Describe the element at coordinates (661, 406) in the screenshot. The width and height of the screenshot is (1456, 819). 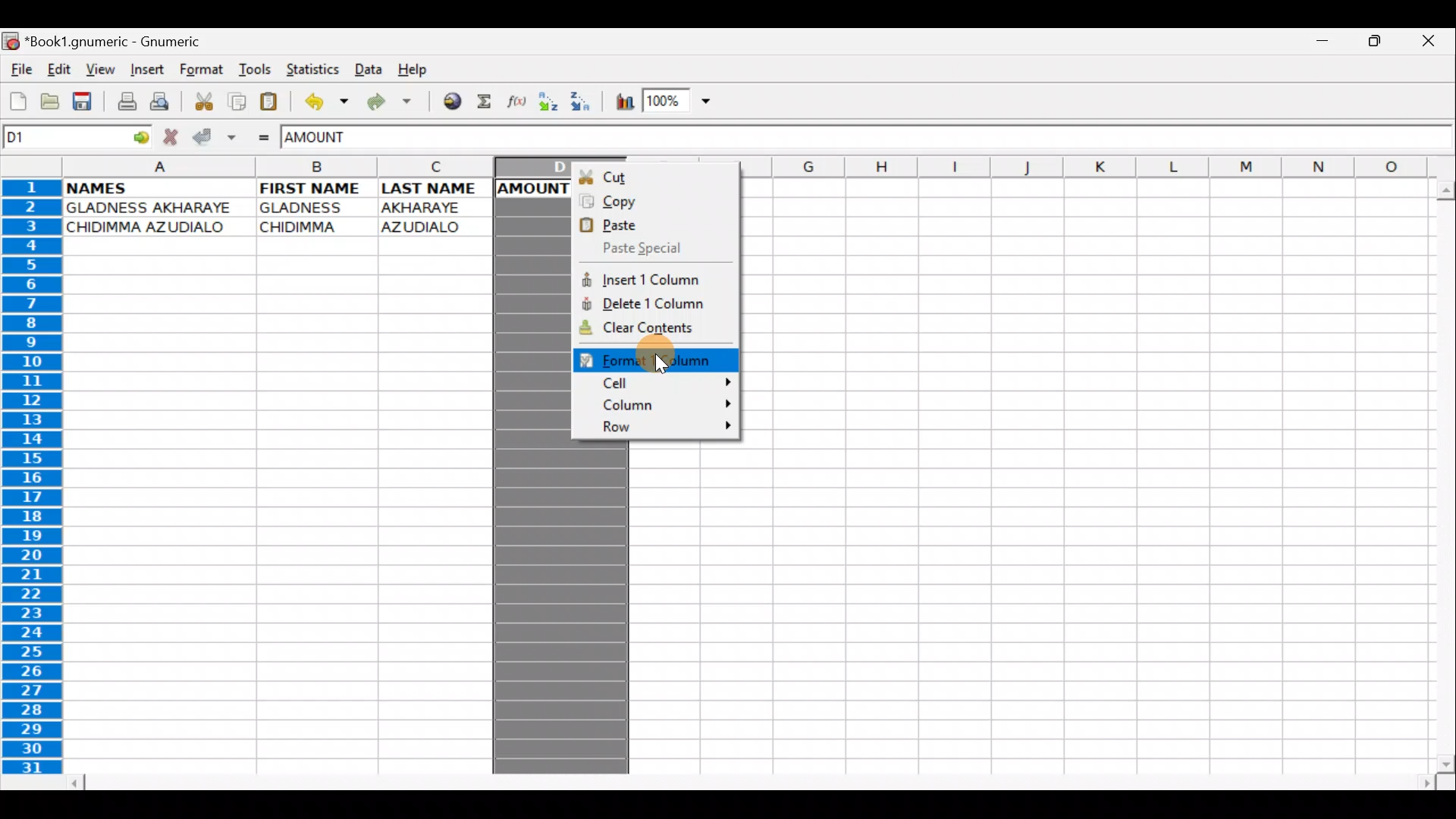
I see `Column` at that location.